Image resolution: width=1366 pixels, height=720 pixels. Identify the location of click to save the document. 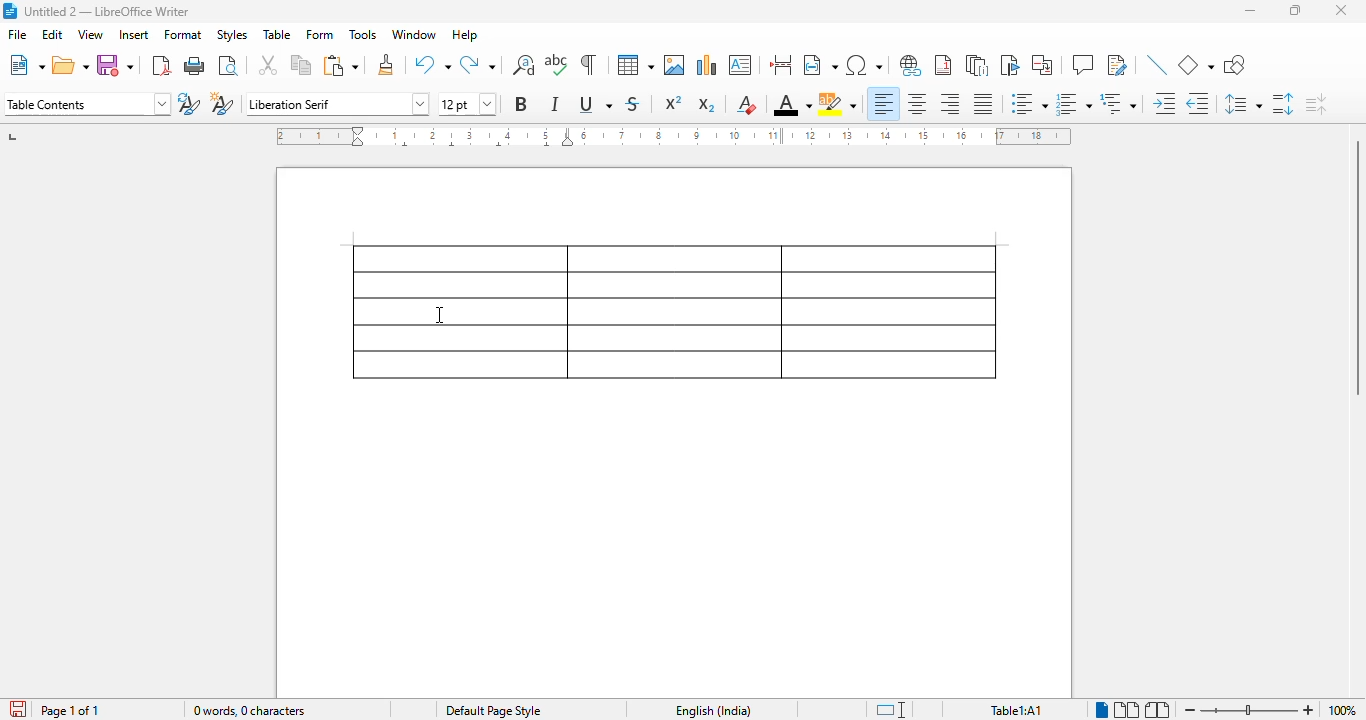
(18, 709).